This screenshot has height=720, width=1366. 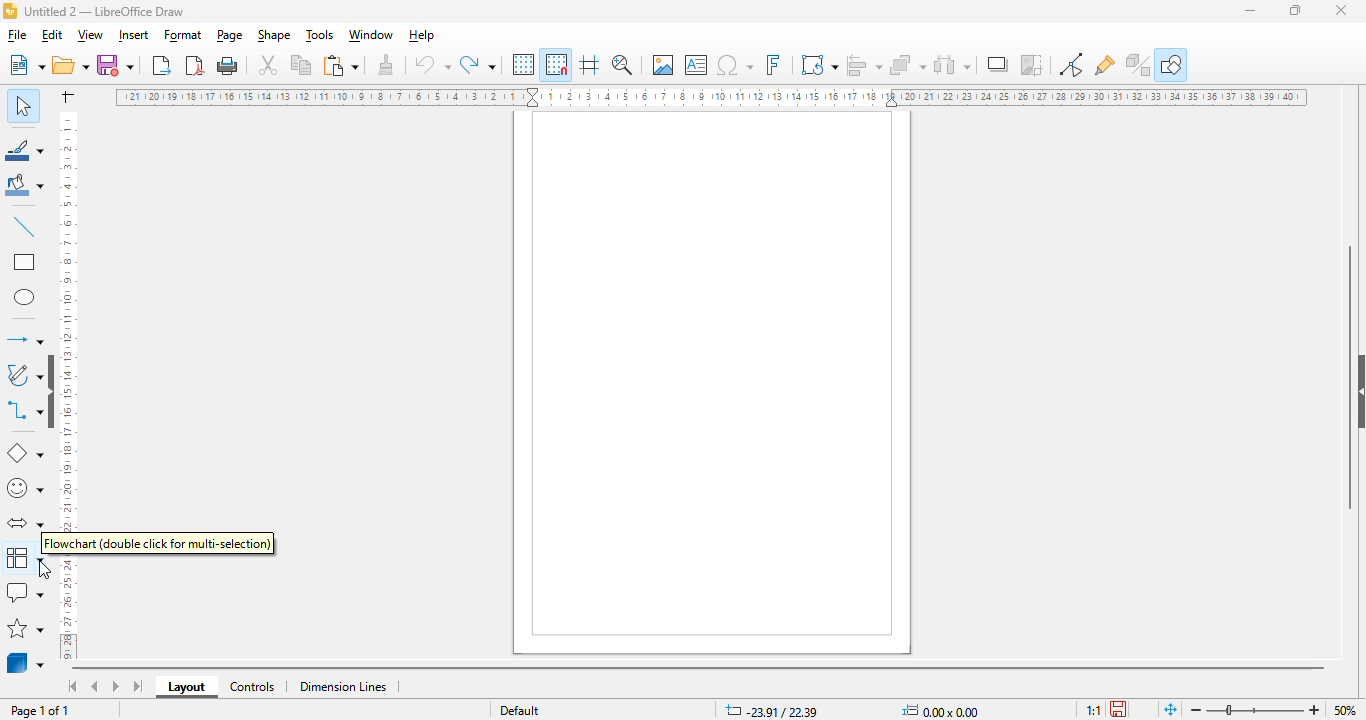 What do you see at coordinates (275, 36) in the screenshot?
I see `shape` at bounding box center [275, 36].